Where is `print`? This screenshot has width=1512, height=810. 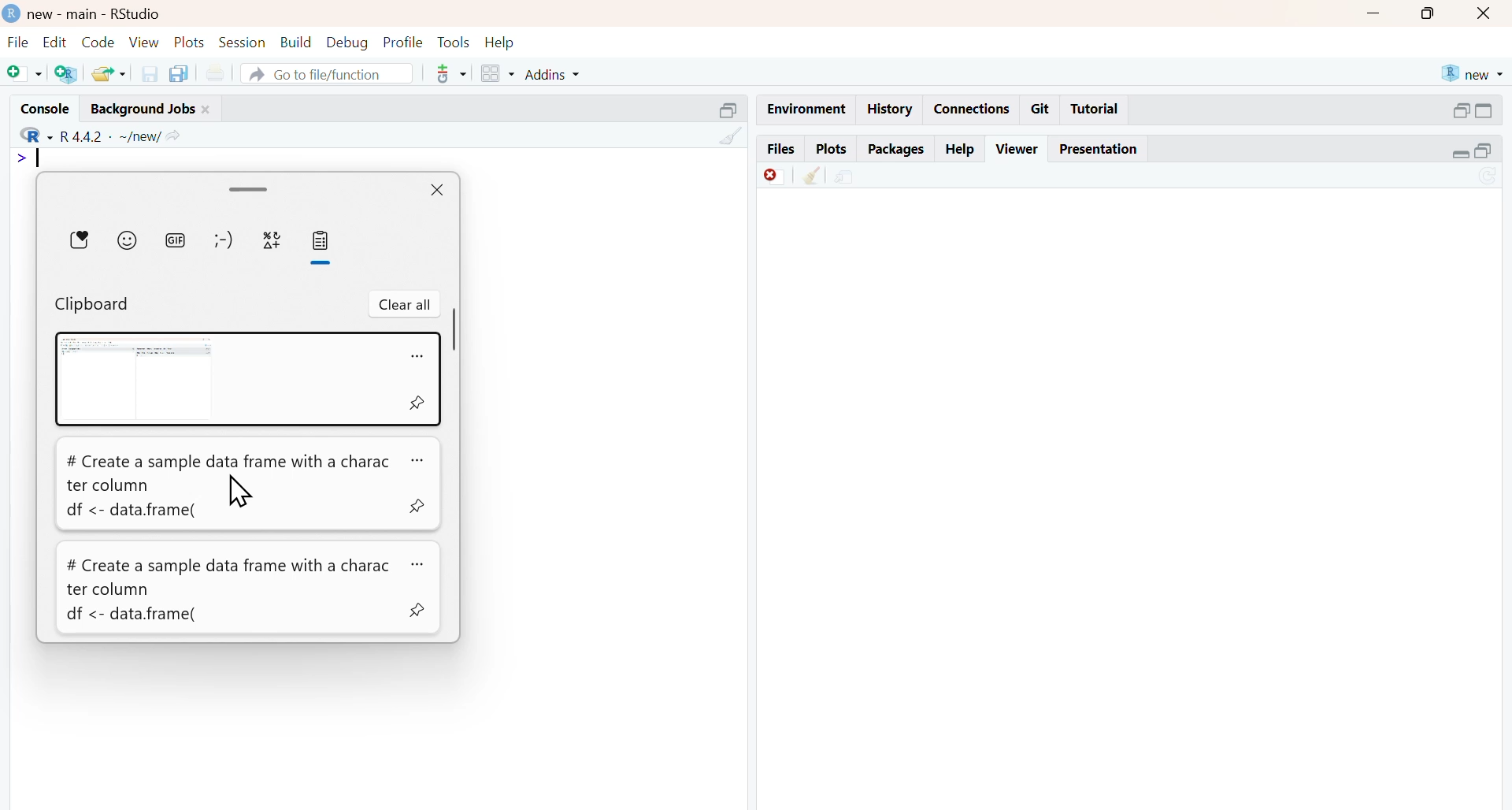 print is located at coordinates (216, 75).